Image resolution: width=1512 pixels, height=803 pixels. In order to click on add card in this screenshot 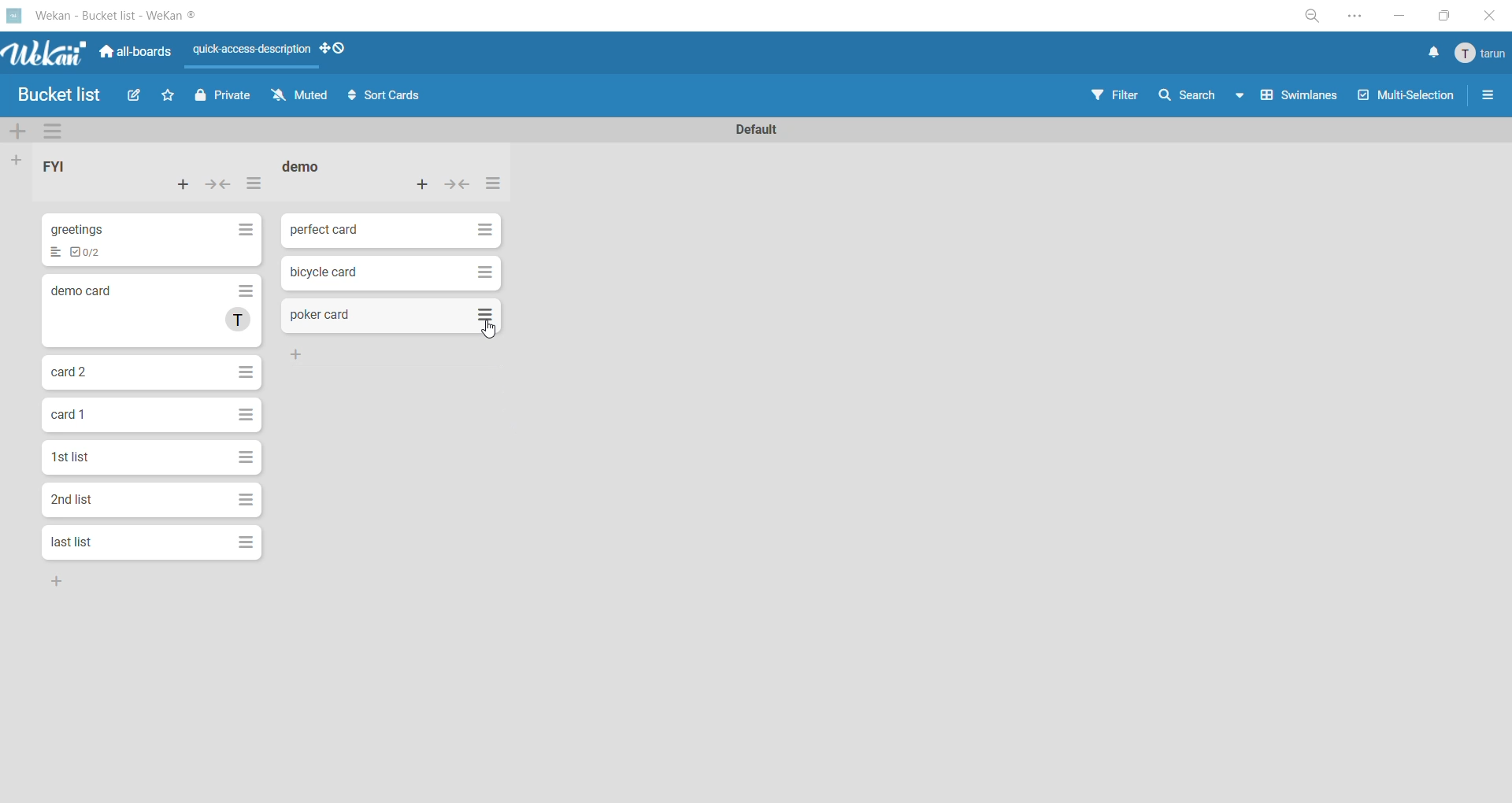, I will do `click(424, 183)`.